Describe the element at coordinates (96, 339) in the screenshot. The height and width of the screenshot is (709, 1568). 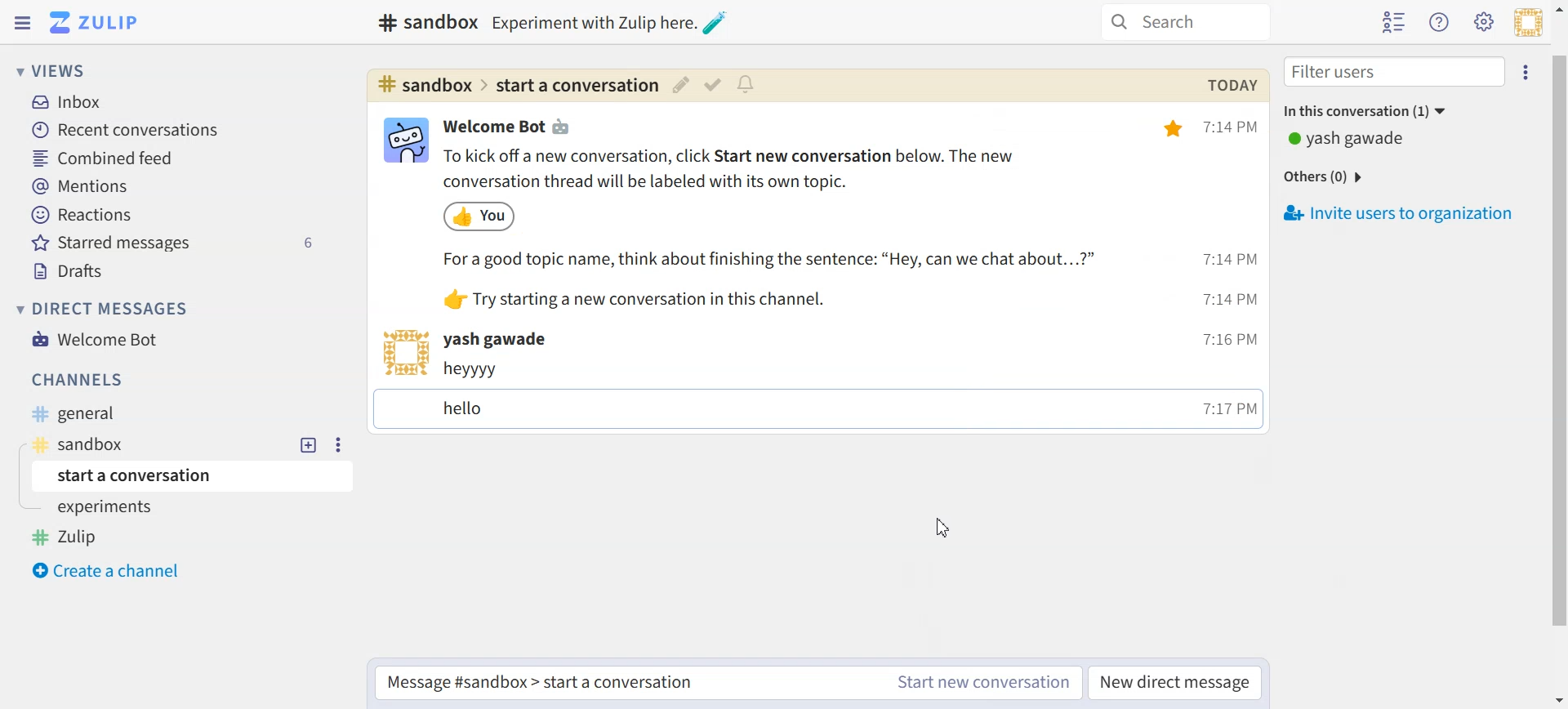
I see `Welcome Bot` at that location.